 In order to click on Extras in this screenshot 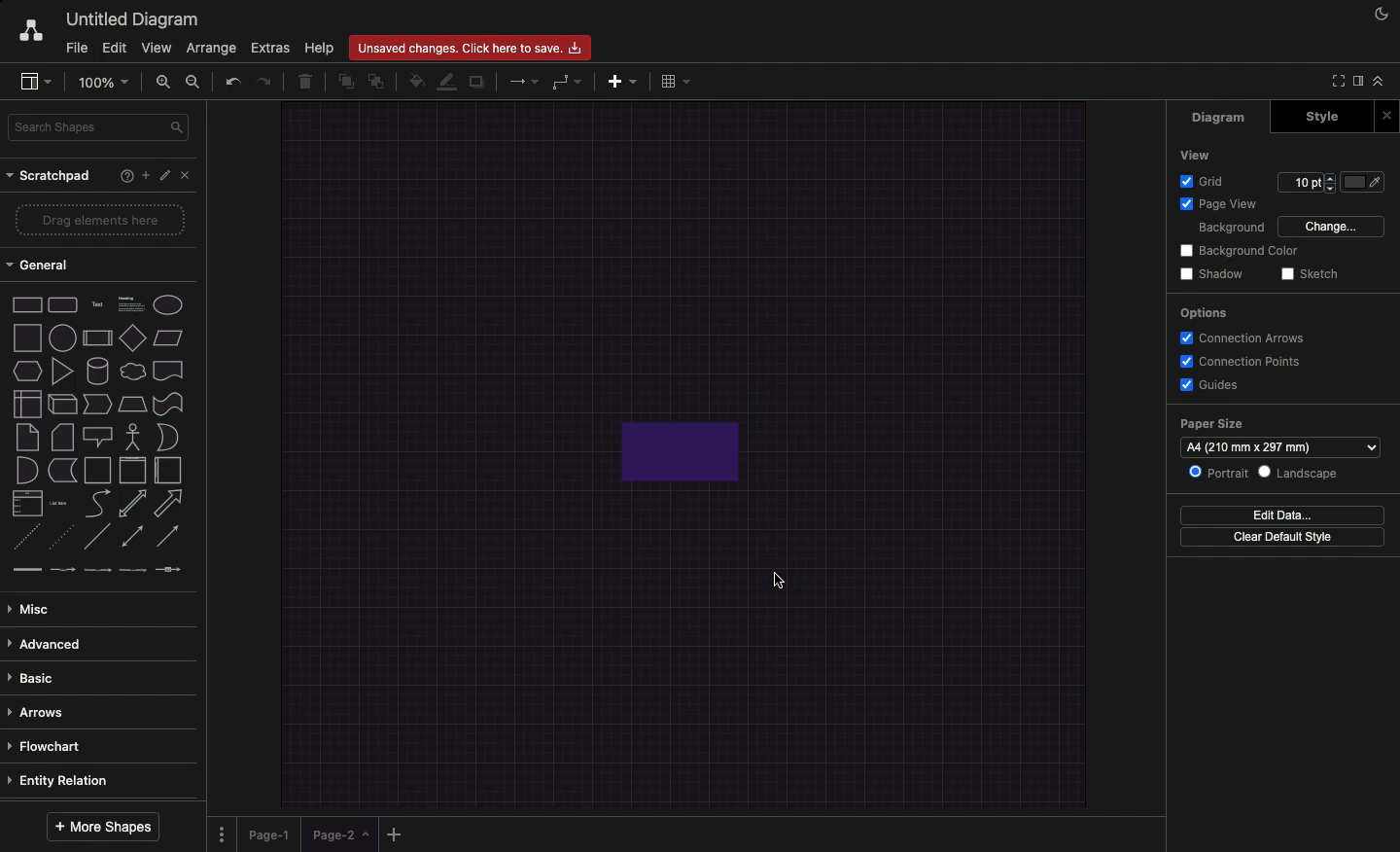, I will do `click(270, 49)`.